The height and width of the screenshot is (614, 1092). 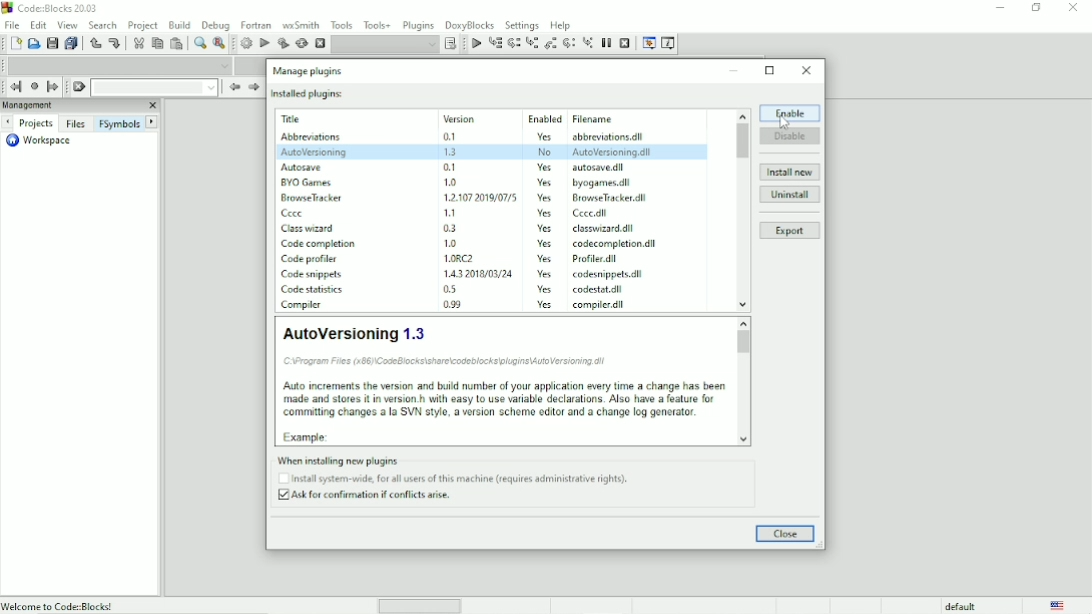 What do you see at coordinates (742, 322) in the screenshot?
I see `scroll up ` at bounding box center [742, 322].